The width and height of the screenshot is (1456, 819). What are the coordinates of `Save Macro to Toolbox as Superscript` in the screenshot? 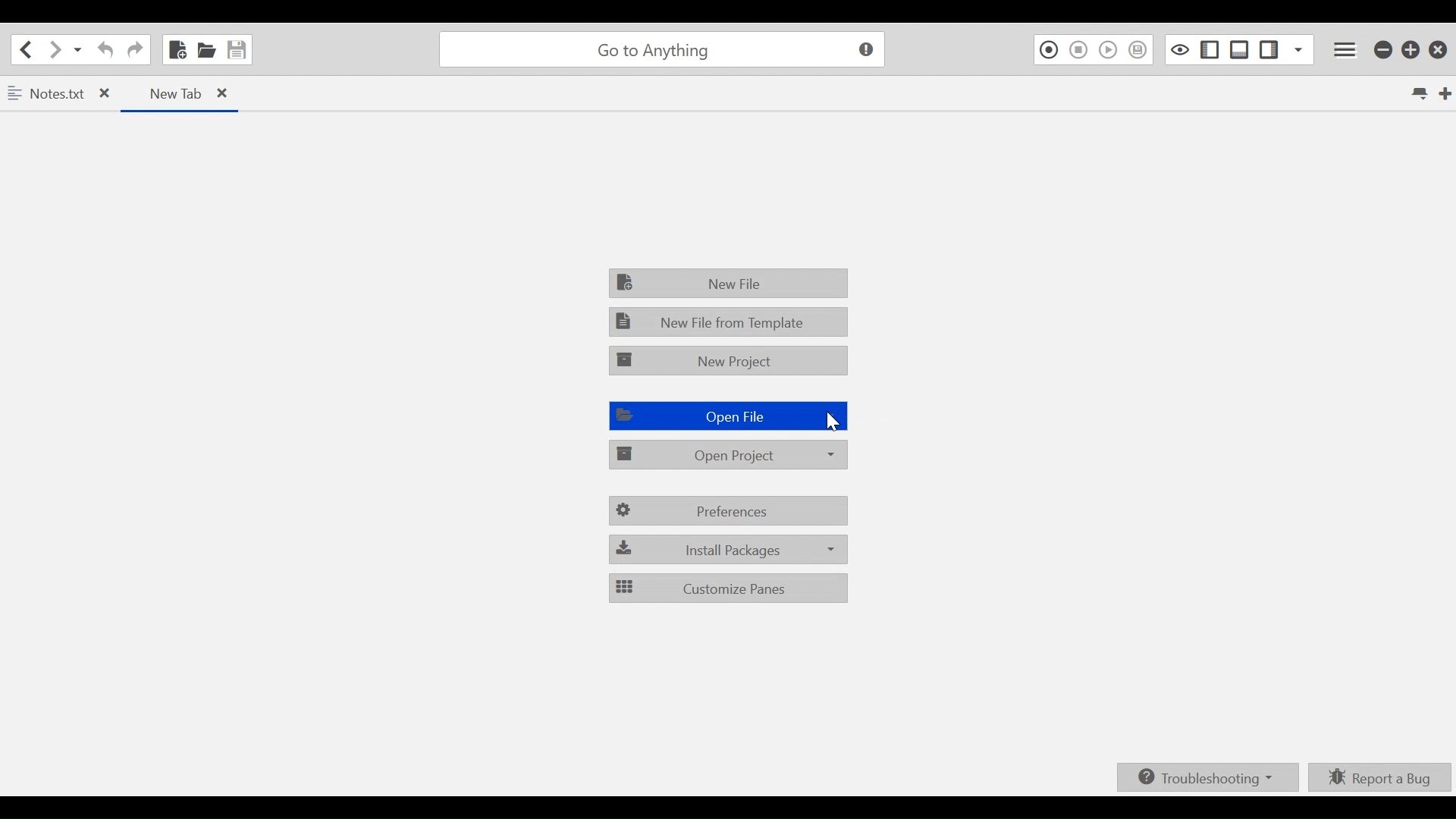 It's located at (1139, 50).